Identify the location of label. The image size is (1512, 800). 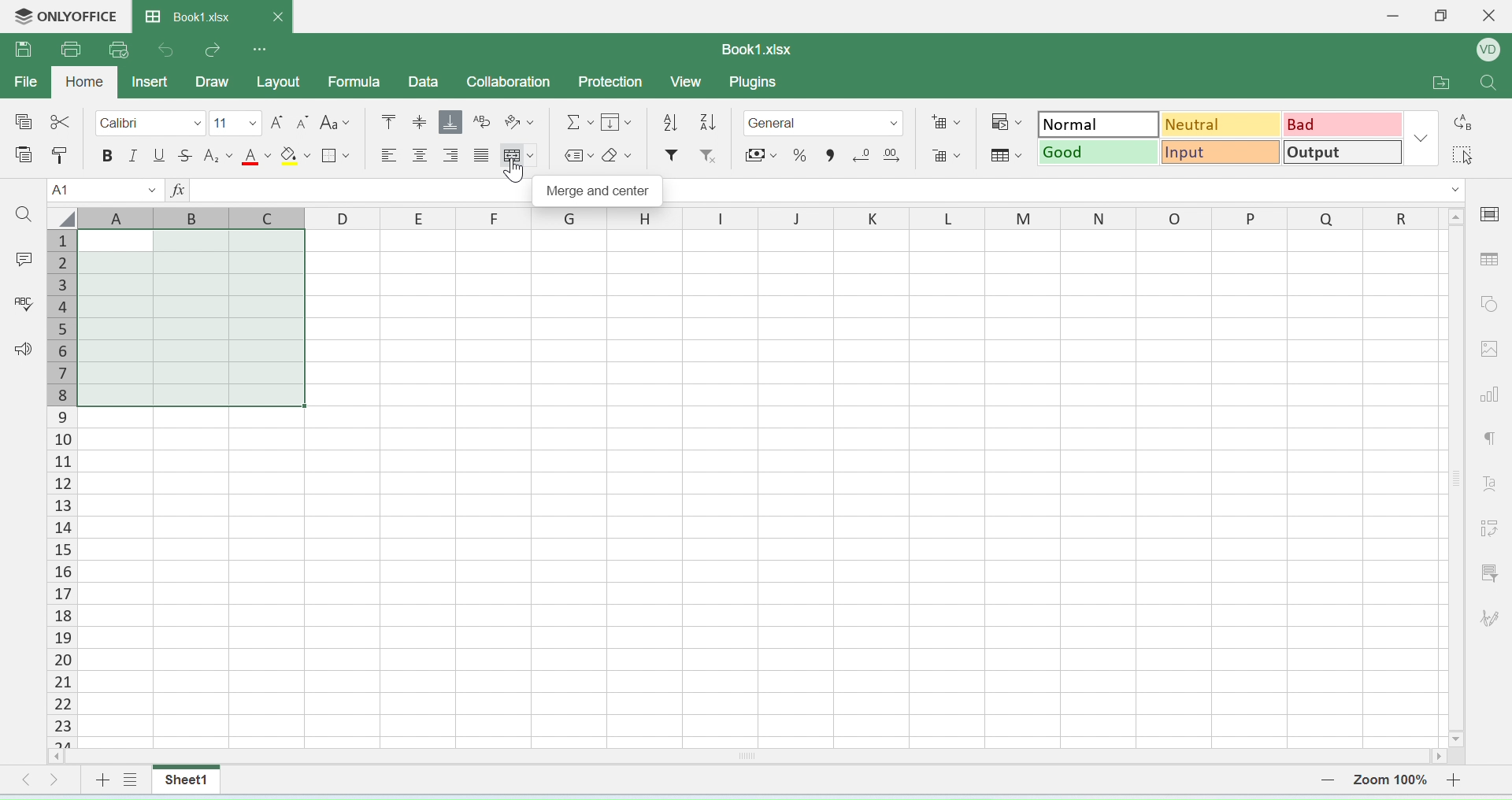
(576, 158).